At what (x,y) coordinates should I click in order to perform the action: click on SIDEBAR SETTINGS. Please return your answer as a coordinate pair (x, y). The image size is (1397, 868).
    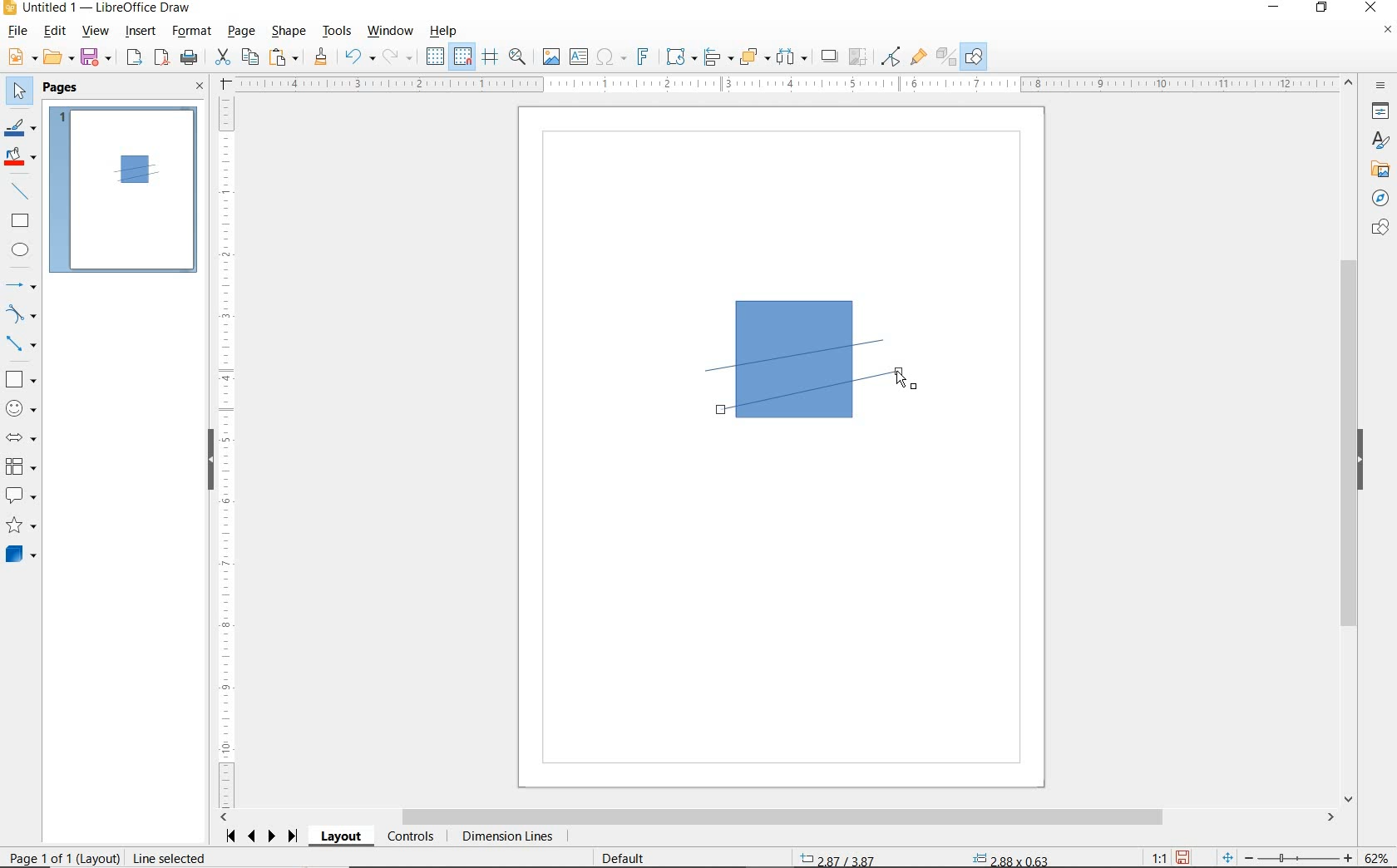
    Looking at the image, I should click on (1382, 86).